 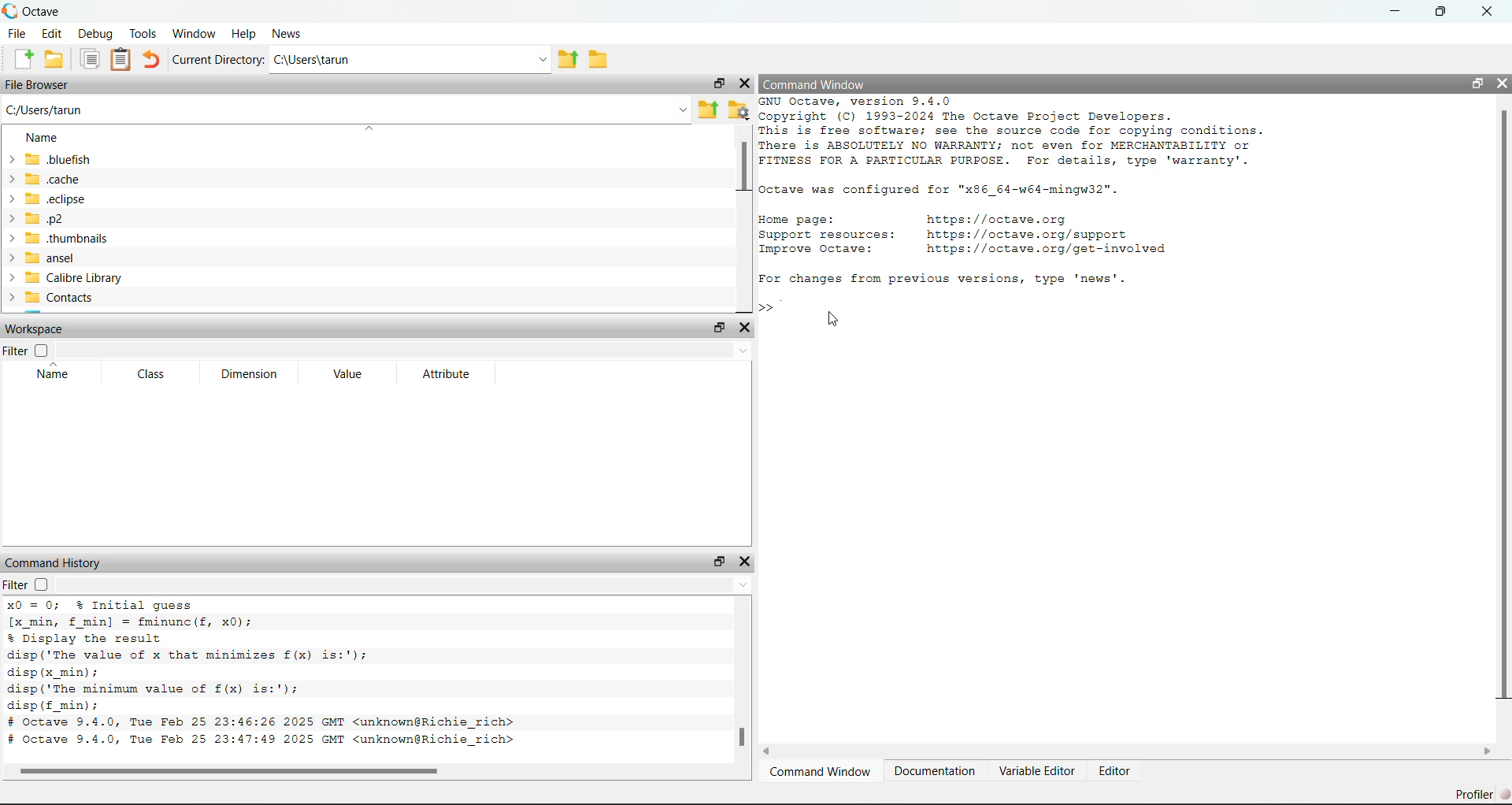 What do you see at coordinates (1488, 749) in the screenshot?
I see `Right` at bounding box center [1488, 749].